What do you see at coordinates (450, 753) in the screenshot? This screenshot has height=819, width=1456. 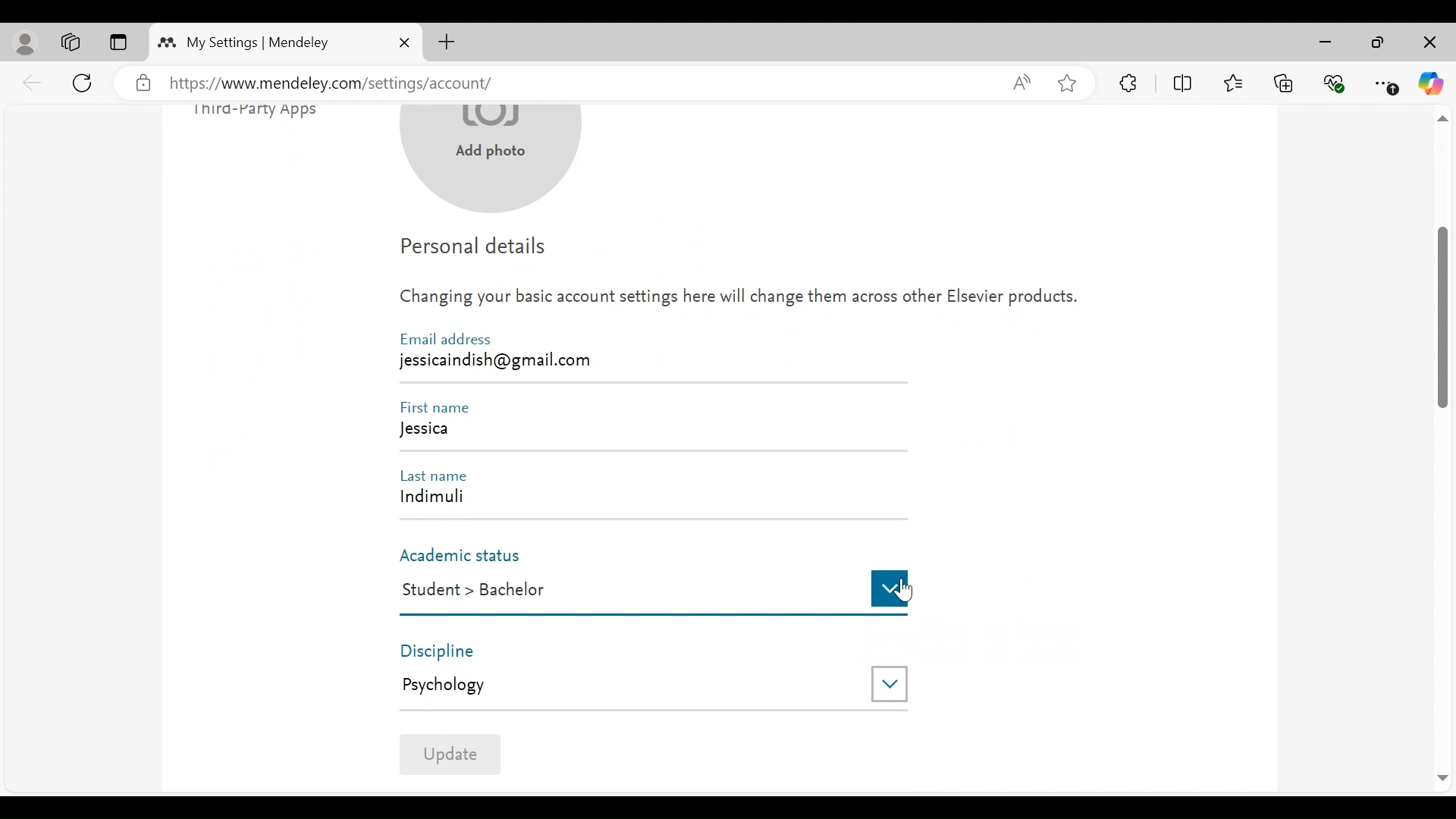 I see `Update` at bounding box center [450, 753].